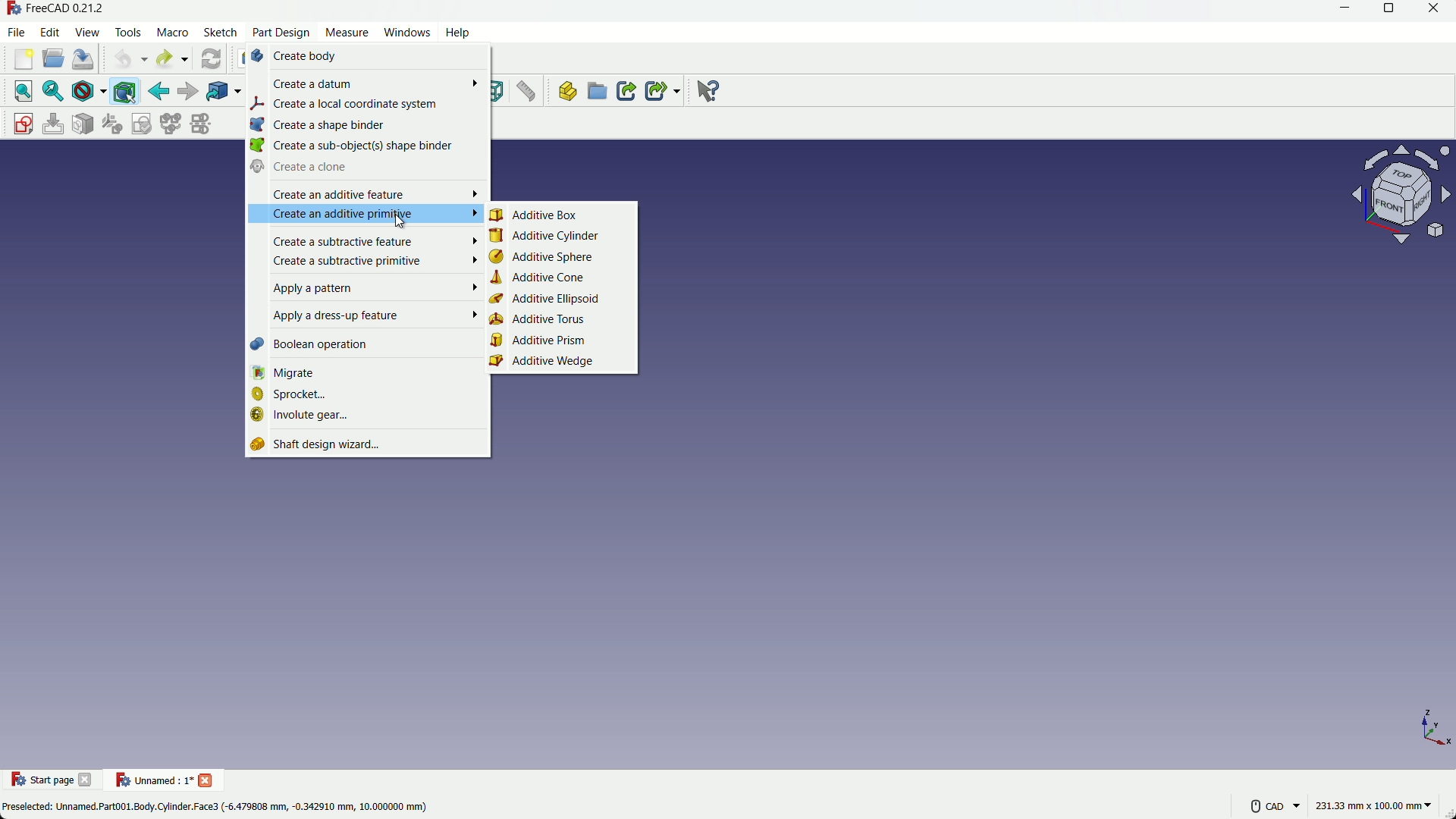  Describe the element at coordinates (220, 33) in the screenshot. I see `sketch menu` at that location.